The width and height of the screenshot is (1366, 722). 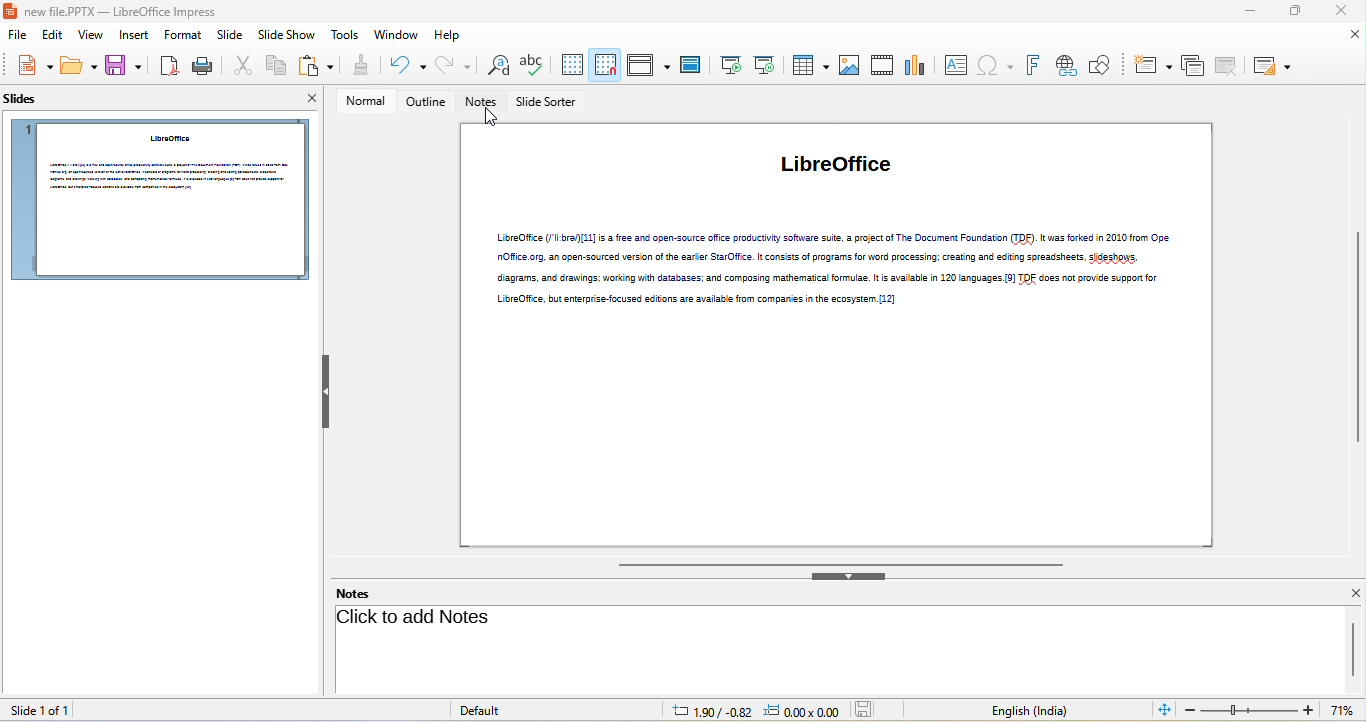 I want to click on slide 1, so click(x=158, y=200).